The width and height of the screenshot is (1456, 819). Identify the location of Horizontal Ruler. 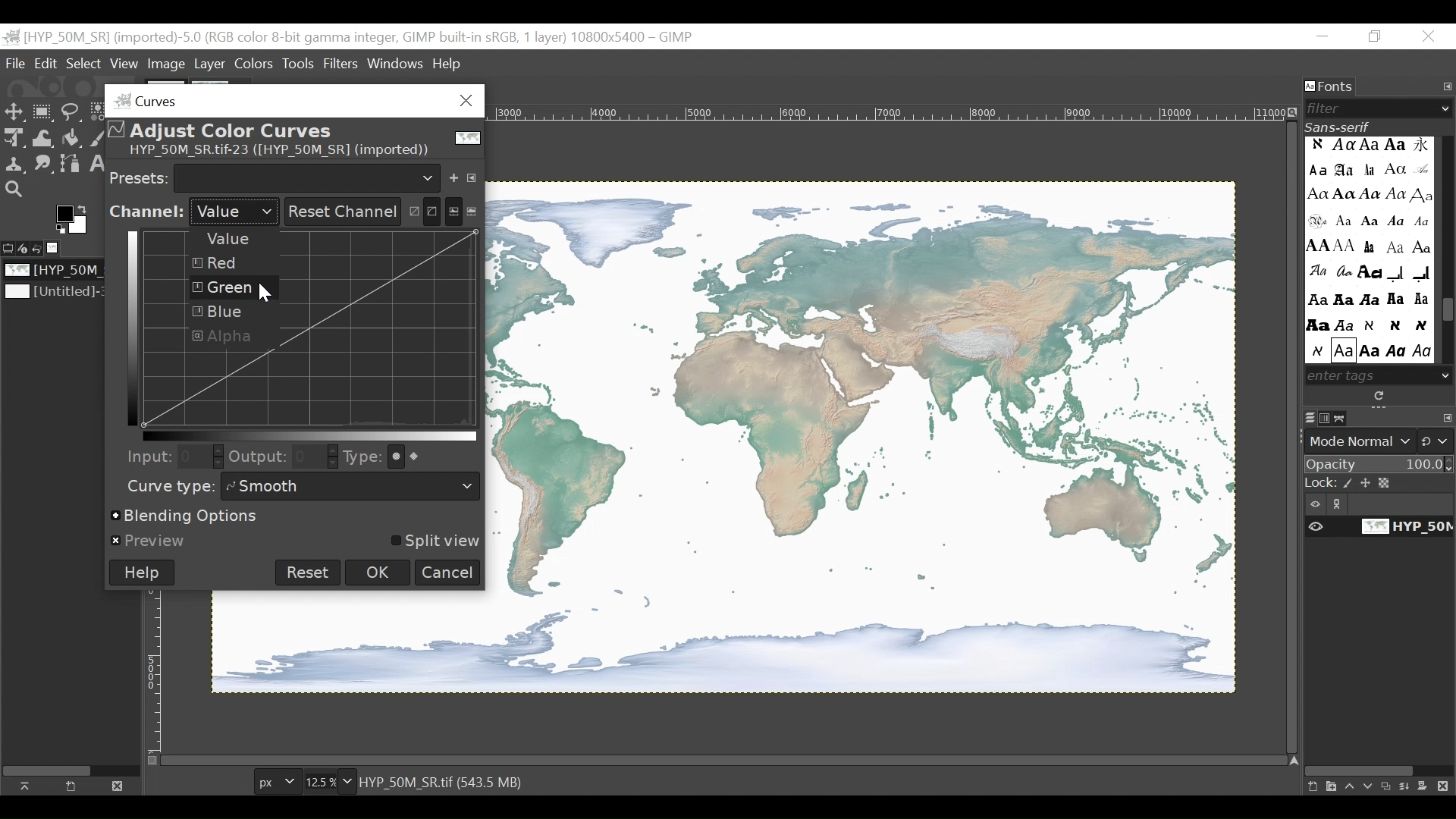
(889, 111).